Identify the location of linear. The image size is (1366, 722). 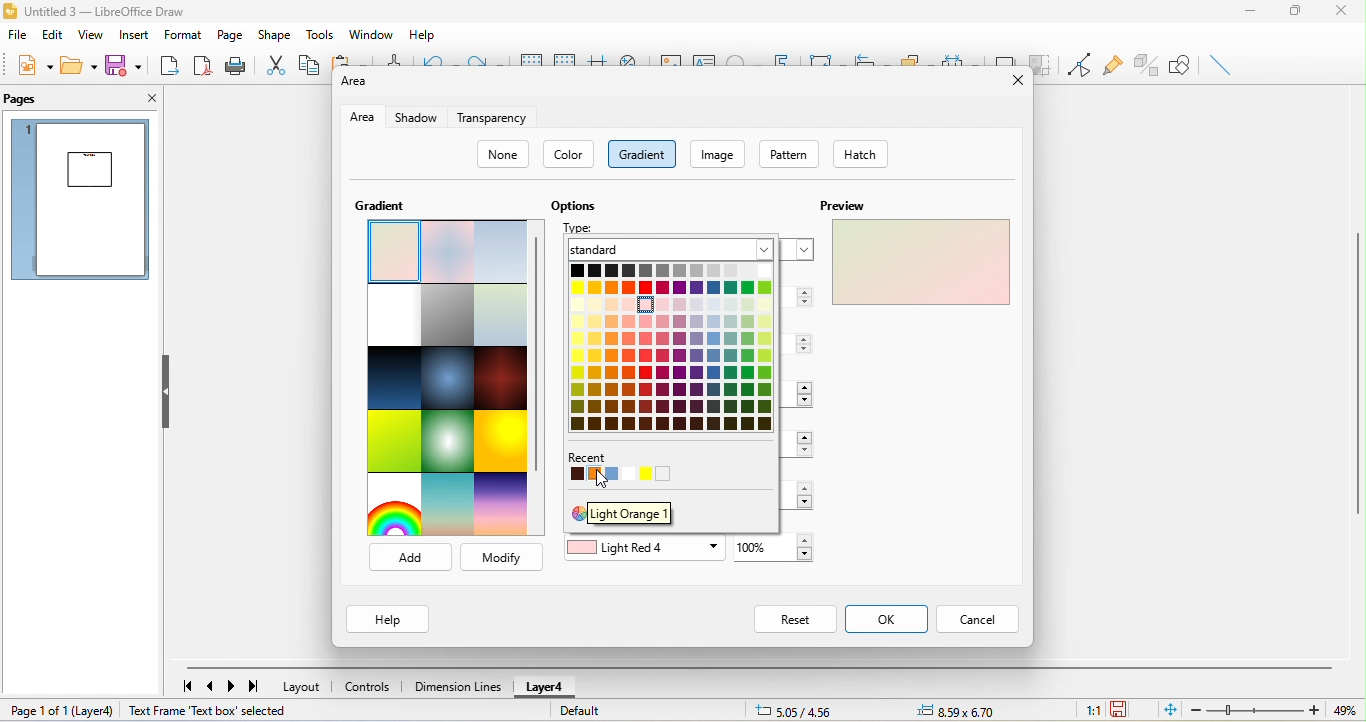
(795, 249).